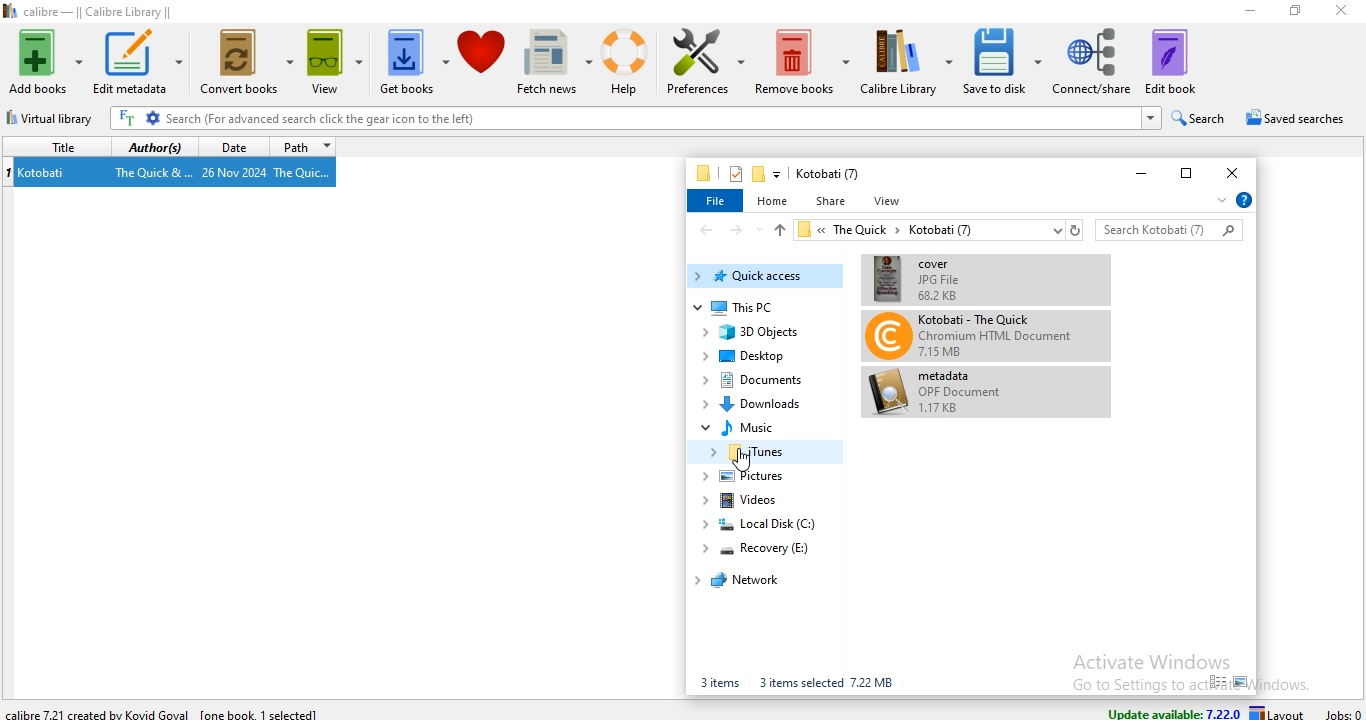  What do you see at coordinates (138, 61) in the screenshot?
I see `edit metadata` at bounding box center [138, 61].